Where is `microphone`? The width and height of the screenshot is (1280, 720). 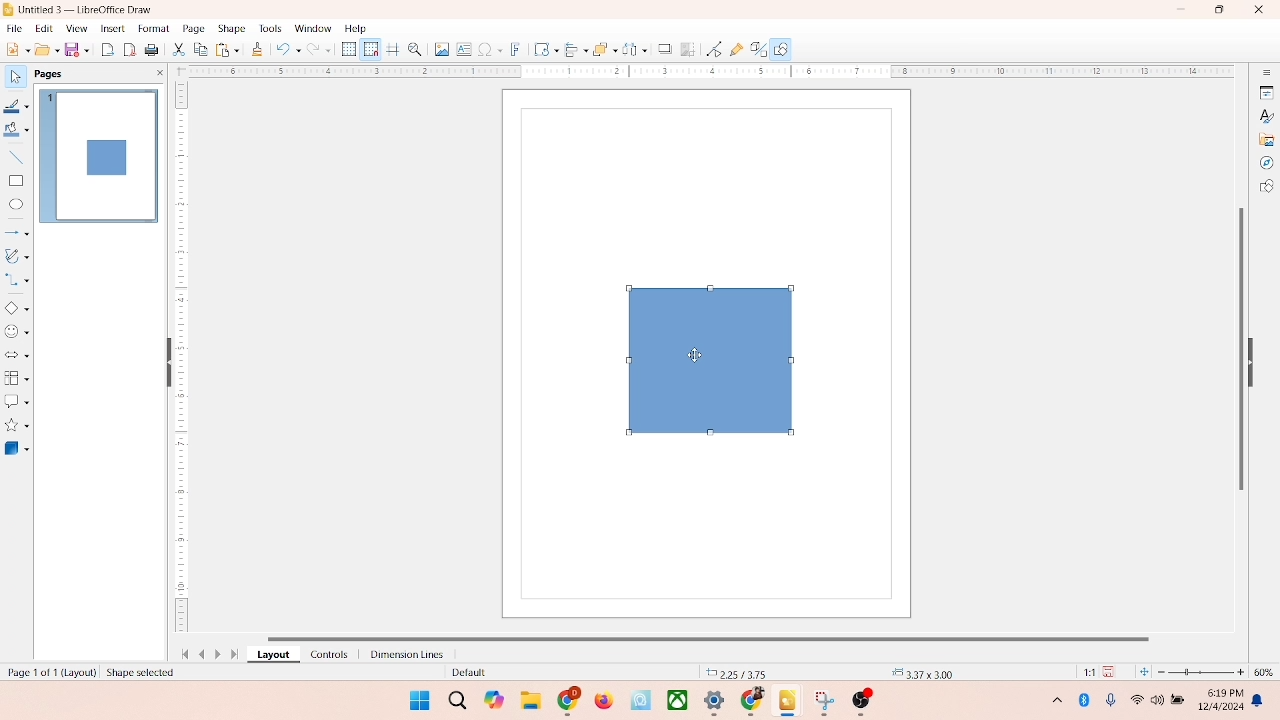
microphone is located at coordinates (1112, 701).